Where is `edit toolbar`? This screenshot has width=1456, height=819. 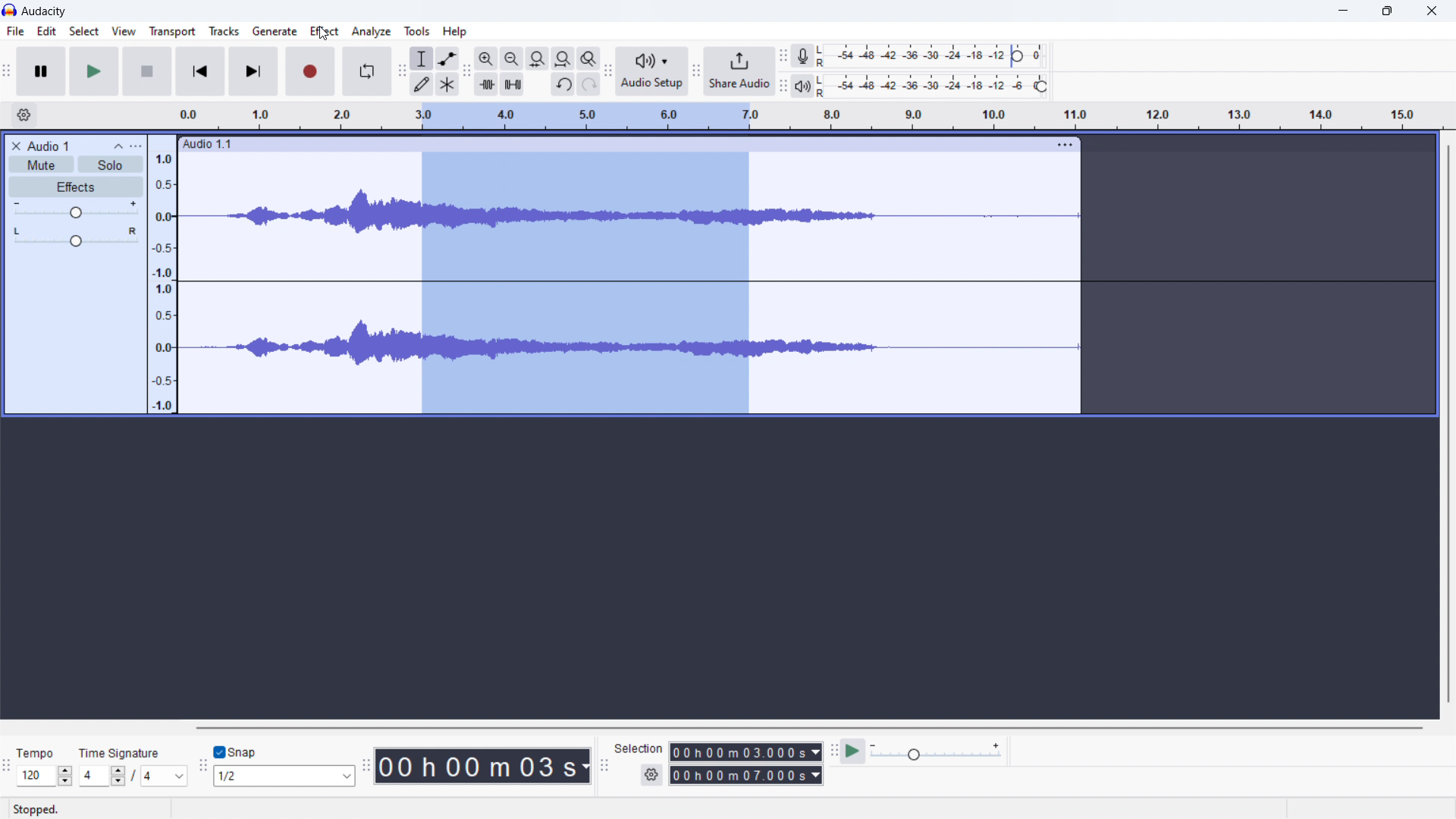 edit toolbar is located at coordinates (466, 72).